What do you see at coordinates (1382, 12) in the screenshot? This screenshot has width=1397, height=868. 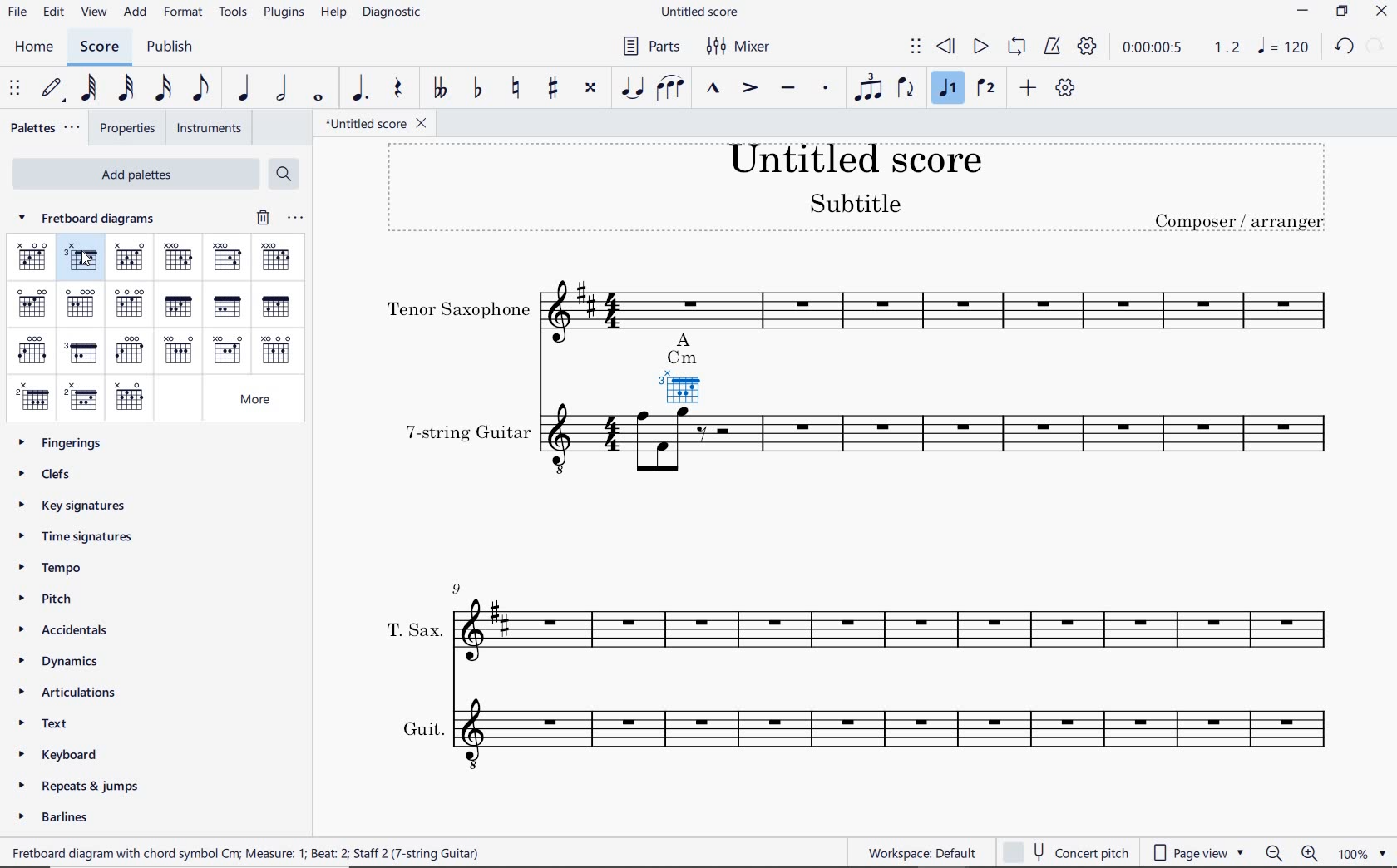 I see `CLOSE` at bounding box center [1382, 12].